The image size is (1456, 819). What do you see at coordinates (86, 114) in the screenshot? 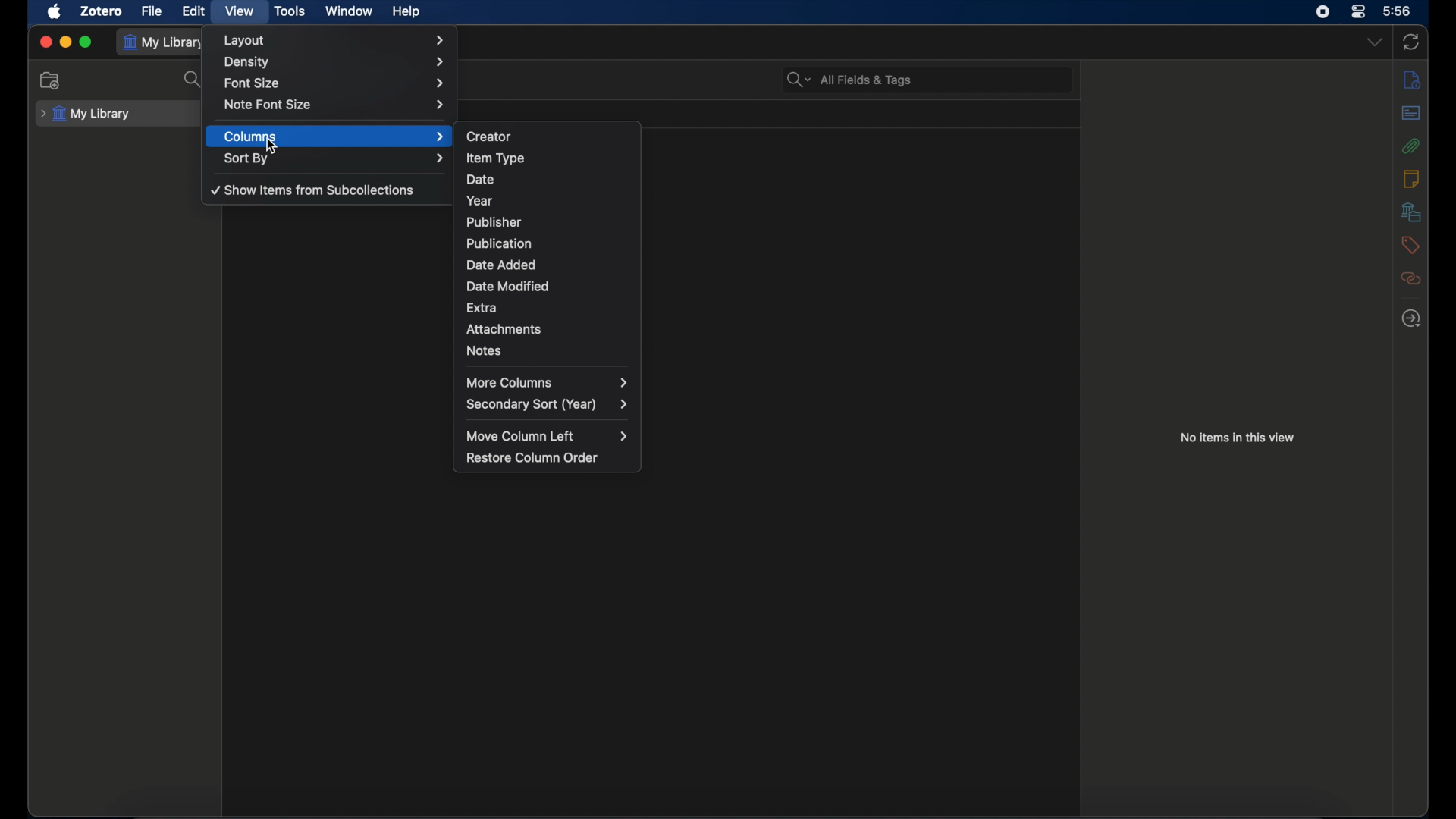
I see `my library` at bounding box center [86, 114].